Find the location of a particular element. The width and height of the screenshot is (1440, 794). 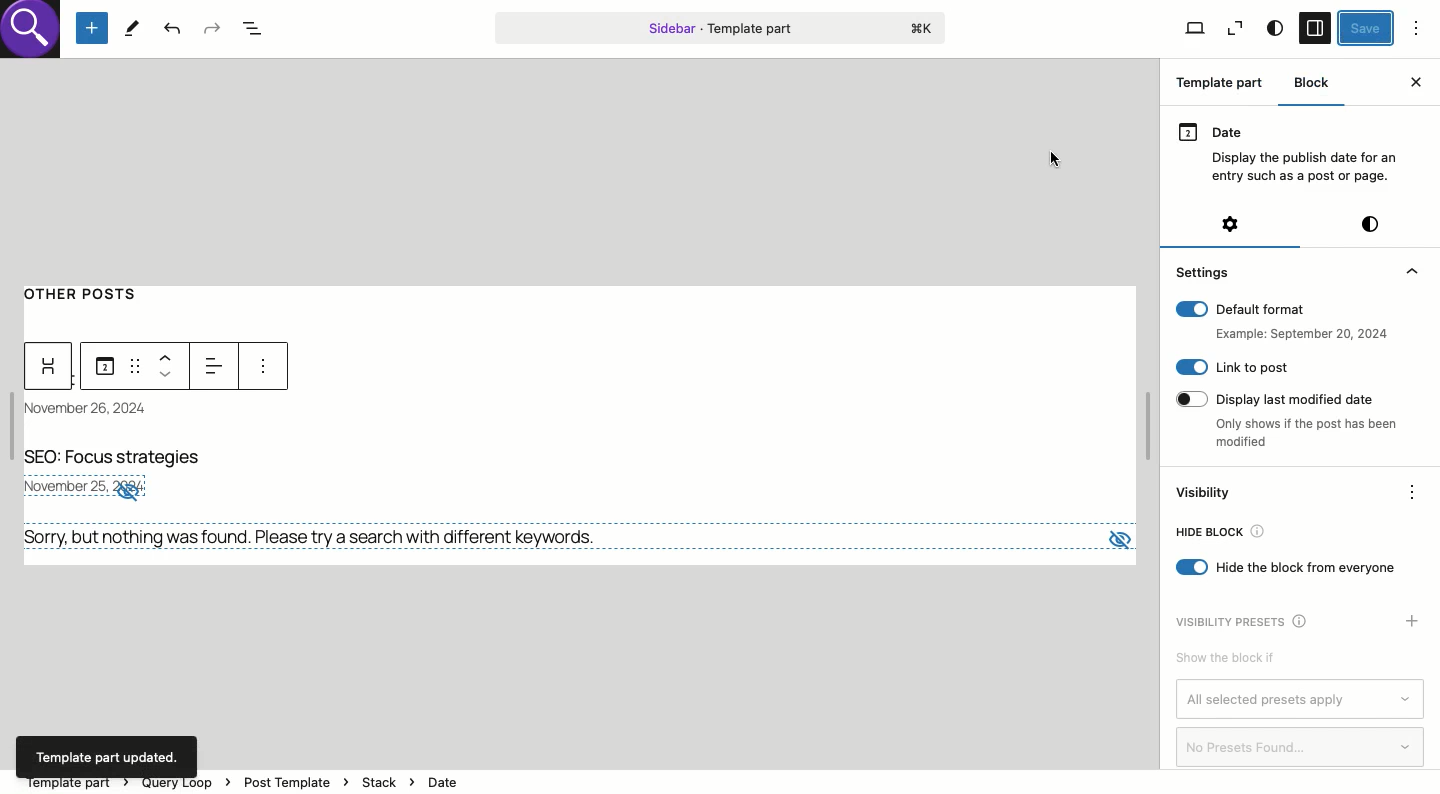

no visibility is located at coordinates (129, 492).